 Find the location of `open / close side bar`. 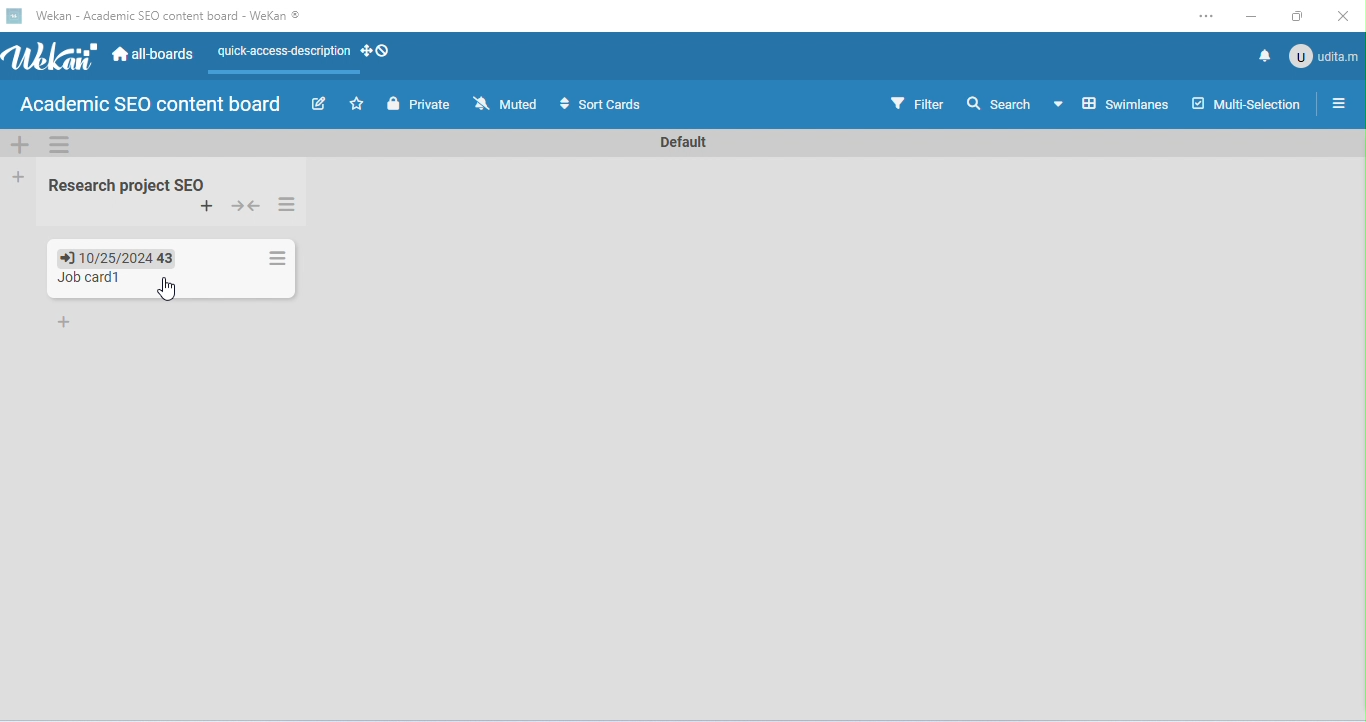

open / close side bar is located at coordinates (1337, 102).